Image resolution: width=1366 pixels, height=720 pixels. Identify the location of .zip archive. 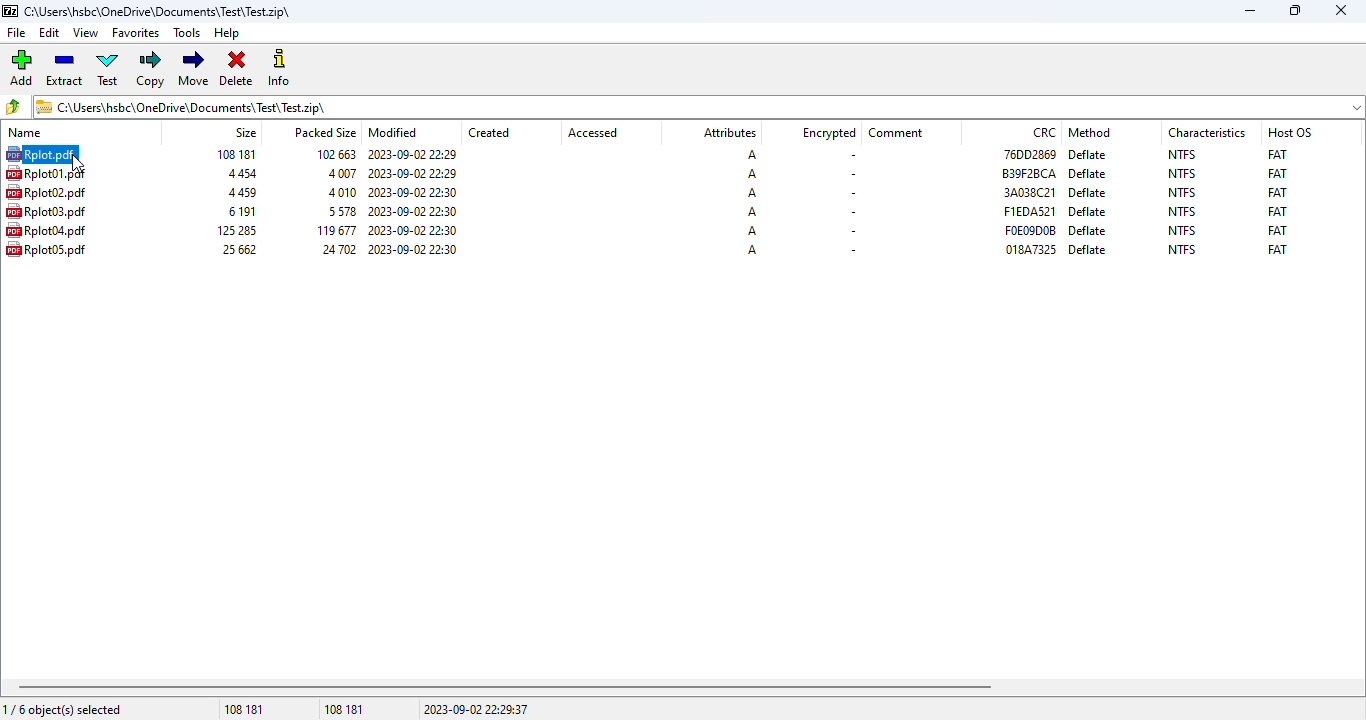
(699, 106).